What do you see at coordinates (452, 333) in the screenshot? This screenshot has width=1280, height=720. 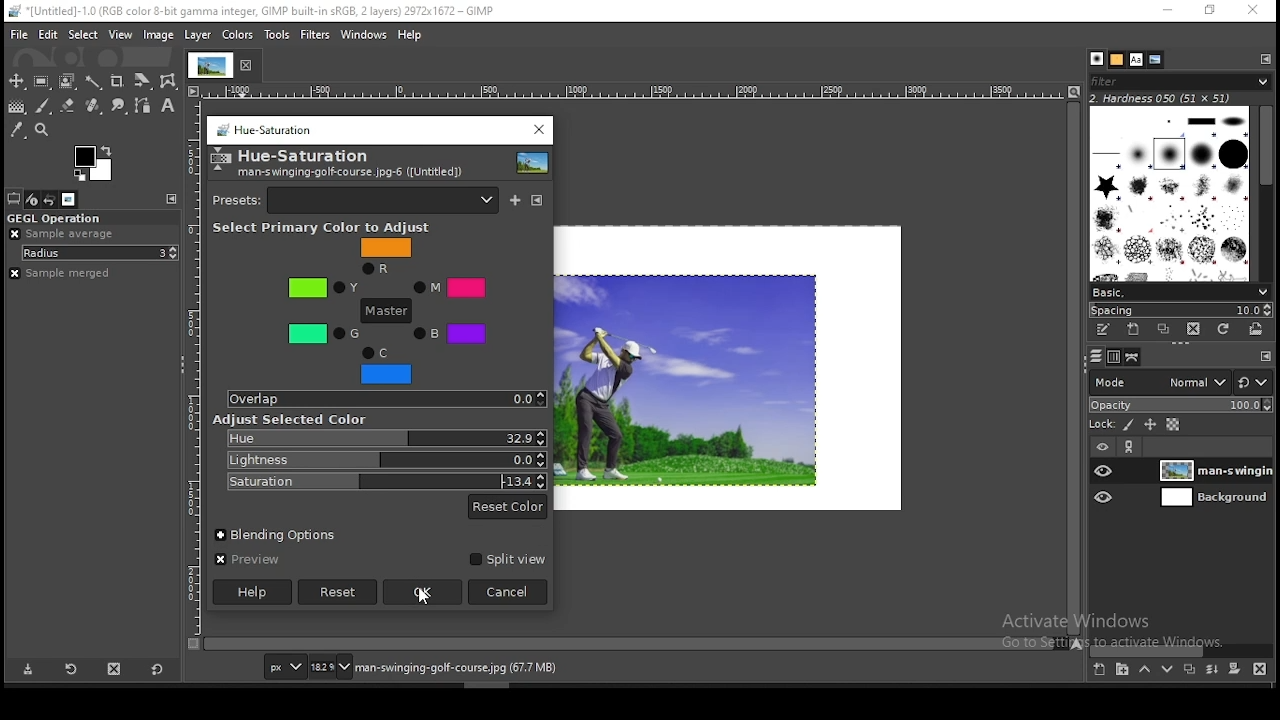 I see `B` at bounding box center [452, 333].